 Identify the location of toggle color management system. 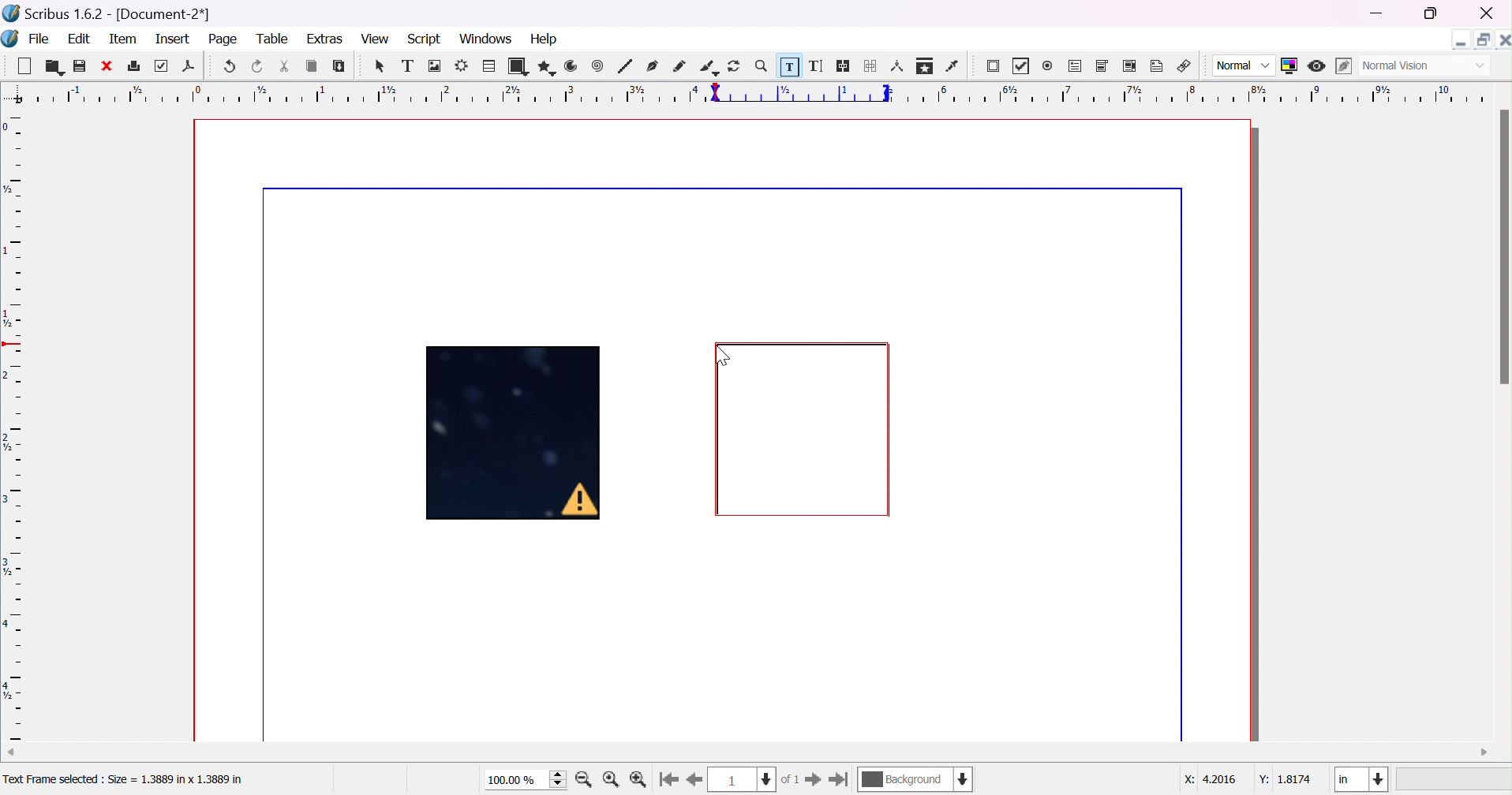
(1290, 65).